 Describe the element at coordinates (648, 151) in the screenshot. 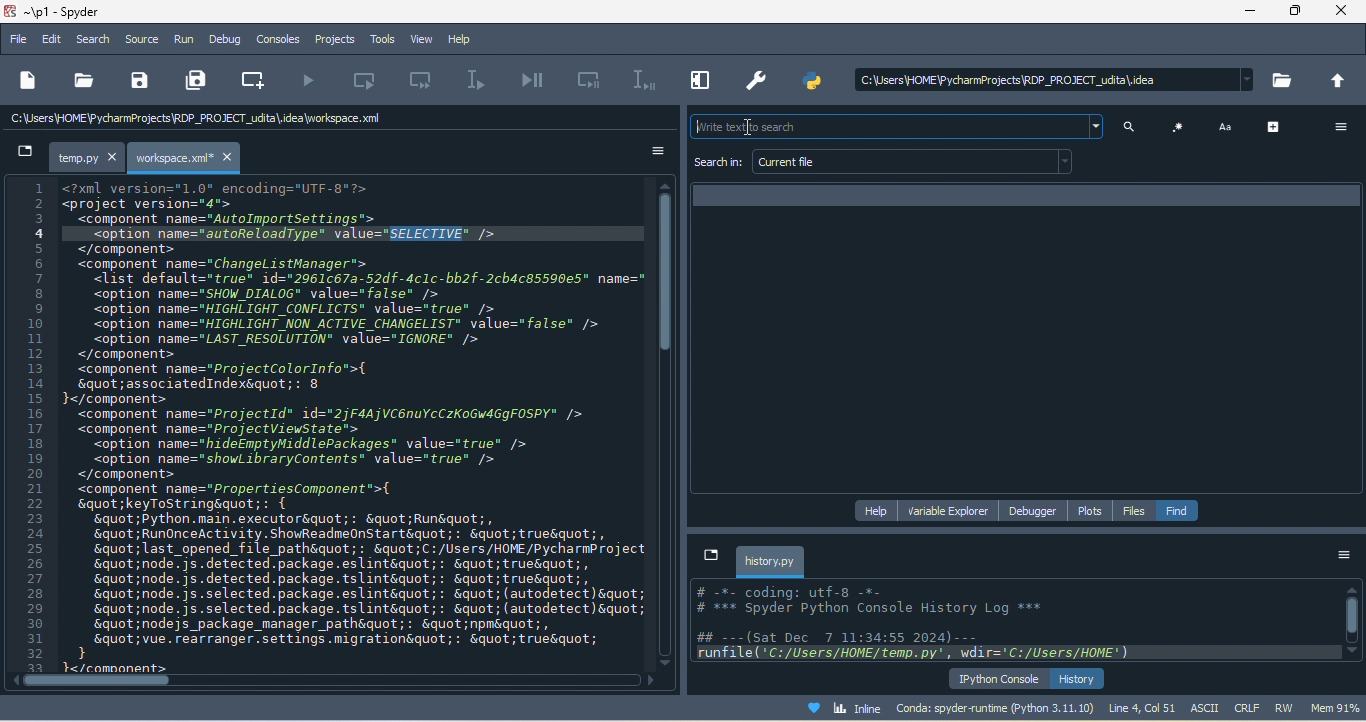

I see `option` at that location.